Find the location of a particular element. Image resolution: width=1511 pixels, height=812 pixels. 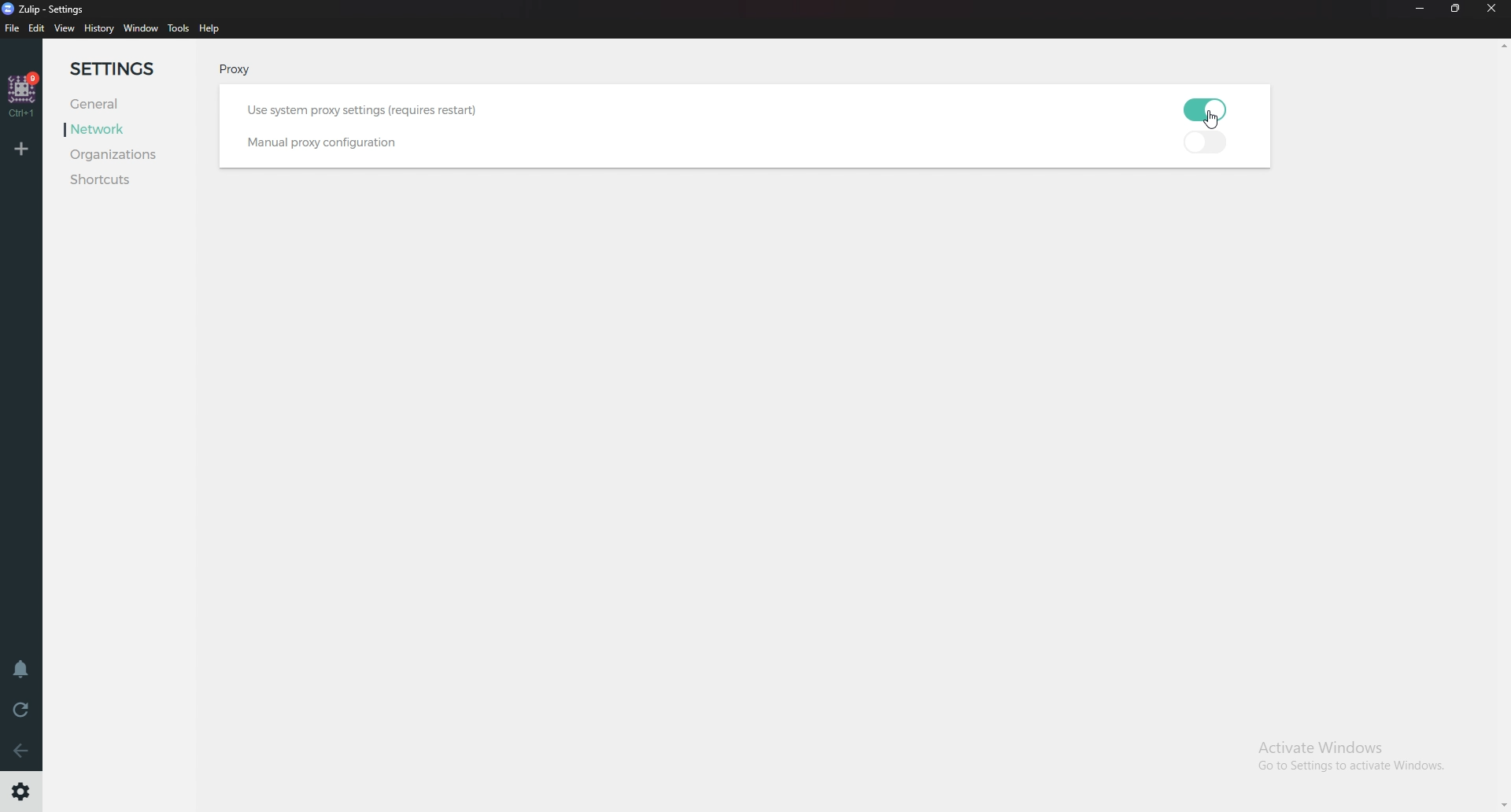

Shortcuts is located at coordinates (122, 181).